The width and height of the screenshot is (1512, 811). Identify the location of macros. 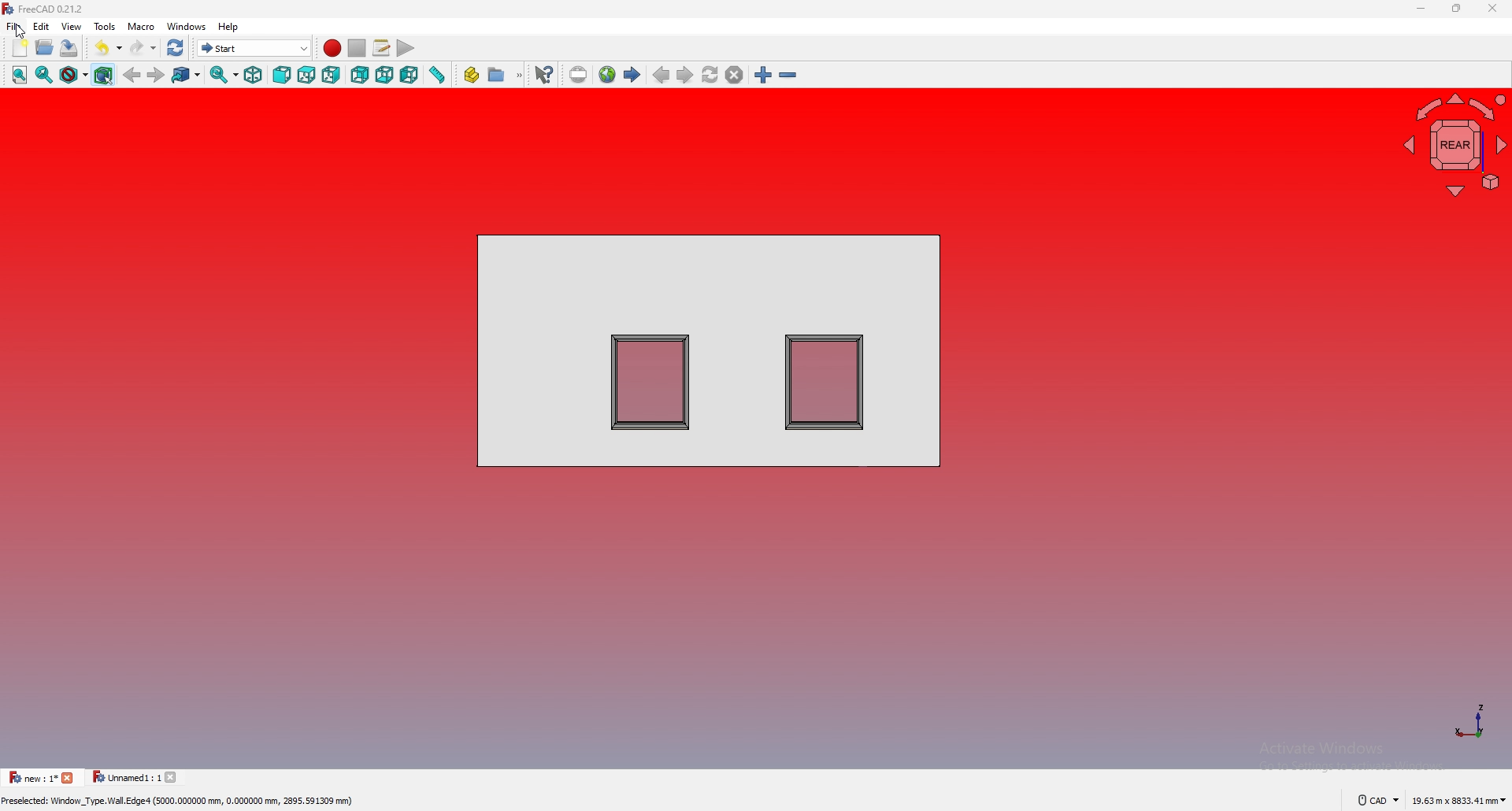
(381, 47).